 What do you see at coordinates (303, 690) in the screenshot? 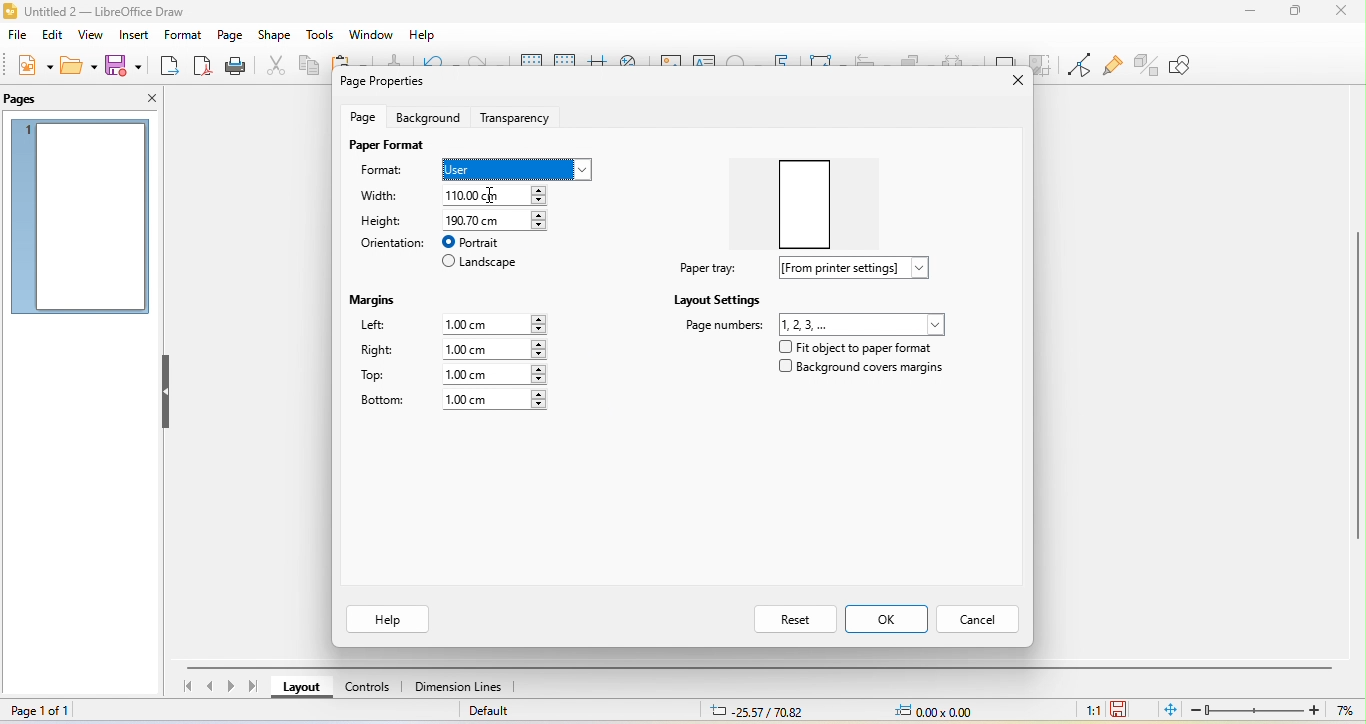
I see `layout` at bounding box center [303, 690].